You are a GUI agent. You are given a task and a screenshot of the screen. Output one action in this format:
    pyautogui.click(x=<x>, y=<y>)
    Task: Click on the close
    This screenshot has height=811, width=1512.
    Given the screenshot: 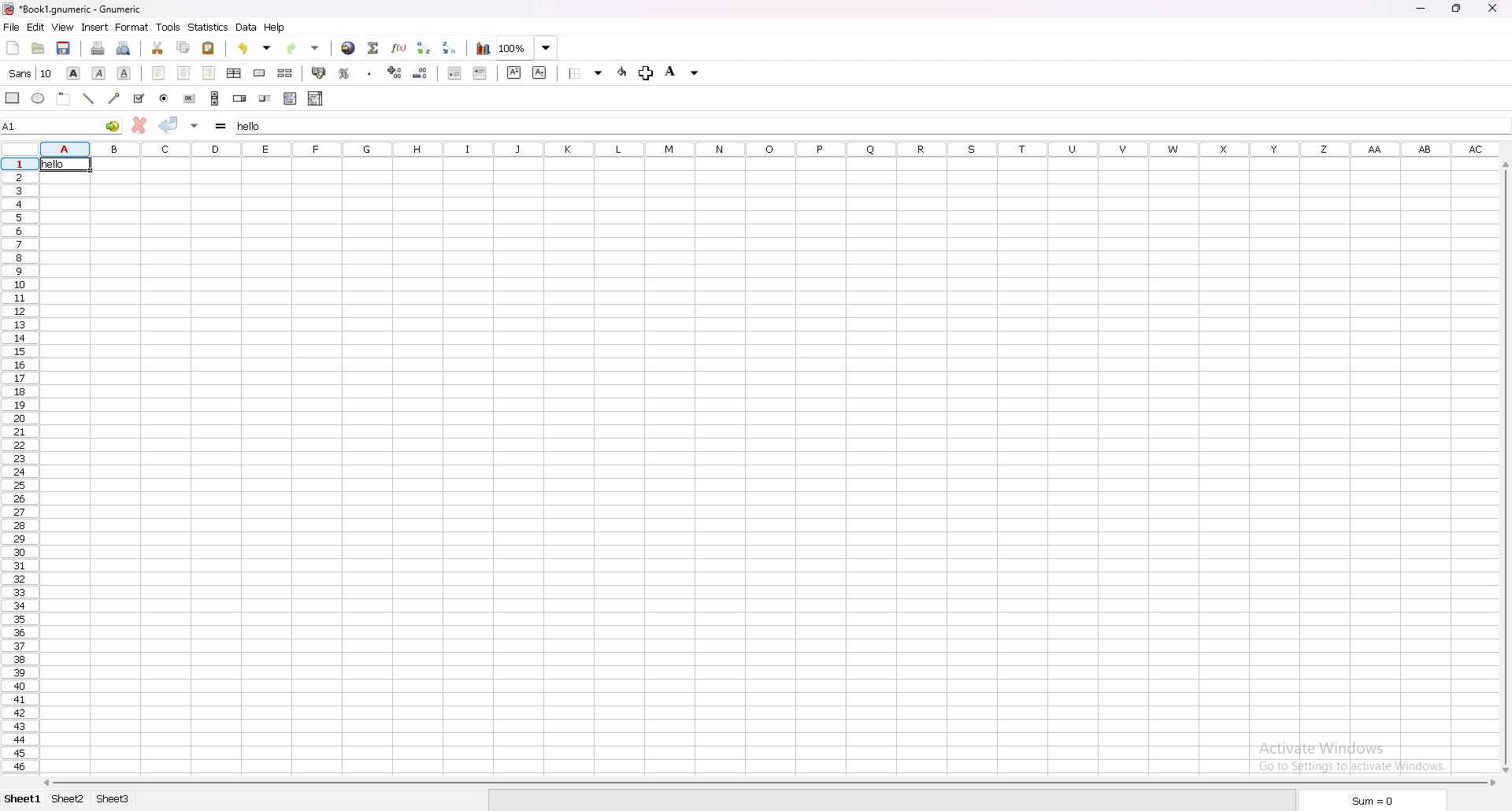 What is the action you would take?
    pyautogui.click(x=1492, y=9)
    